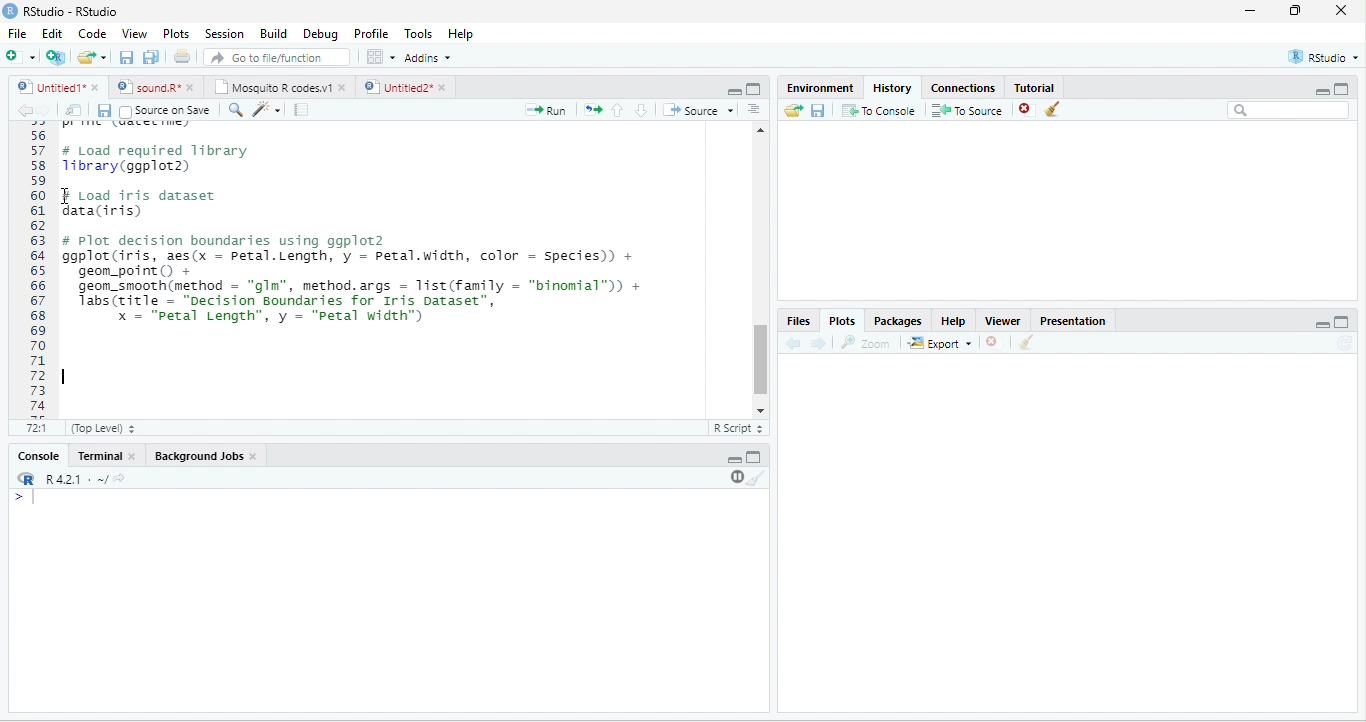  I want to click on logo, so click(9, 11).